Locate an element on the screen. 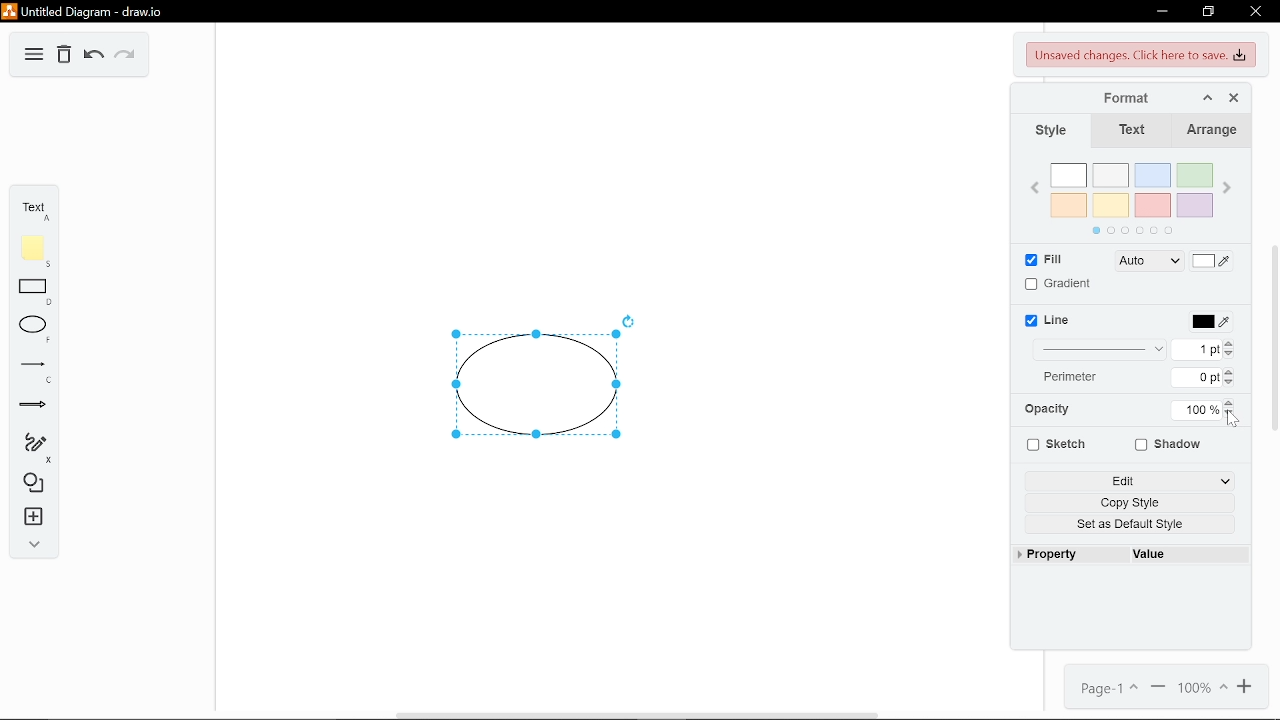  Colors is located at coordinates (1135, 196).